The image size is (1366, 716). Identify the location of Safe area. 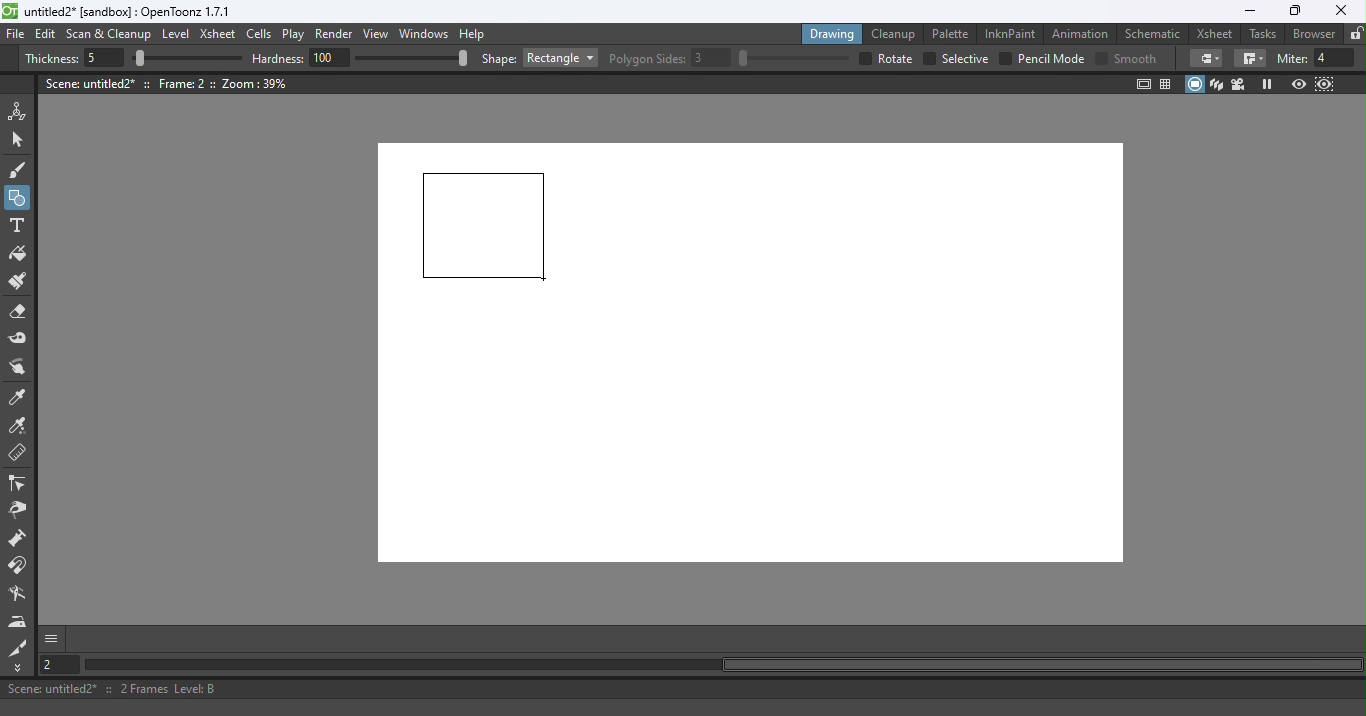
(1142, 84).